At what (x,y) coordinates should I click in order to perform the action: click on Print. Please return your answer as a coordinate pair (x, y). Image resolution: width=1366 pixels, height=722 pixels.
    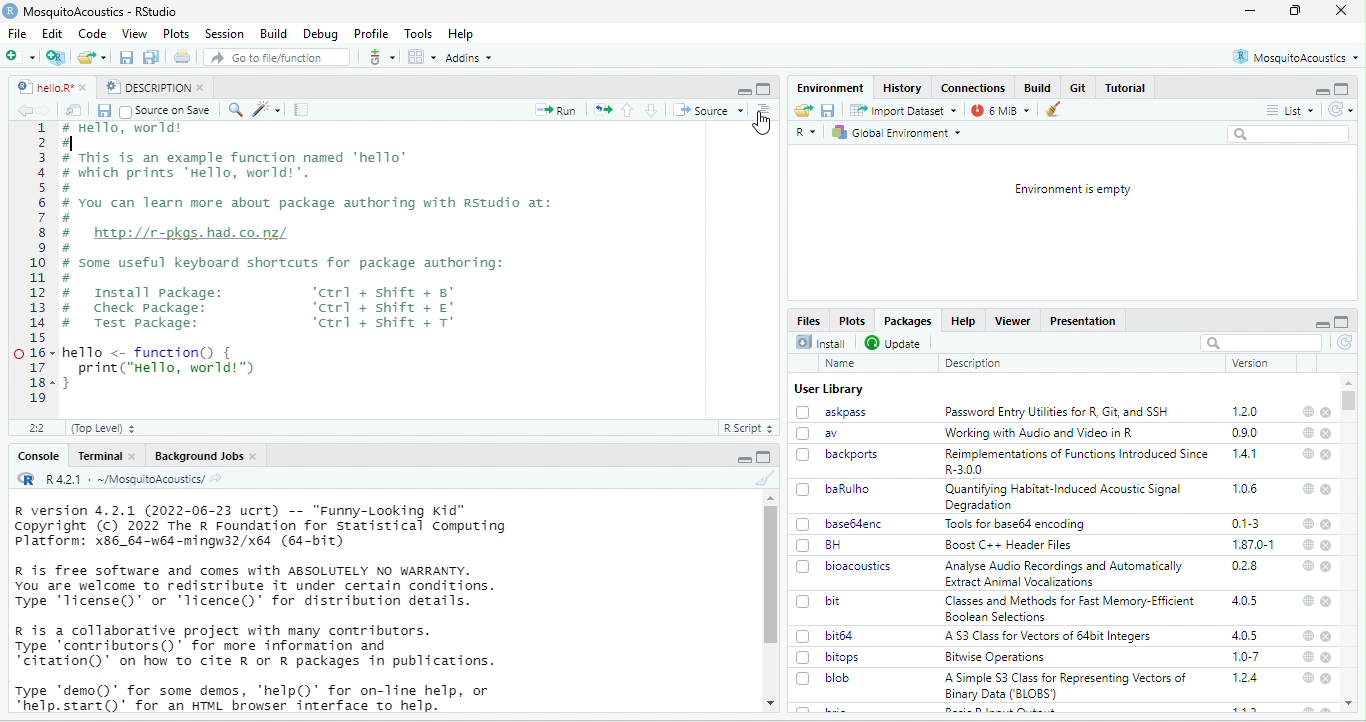
    Looking at the image, I should click on (183, 56).